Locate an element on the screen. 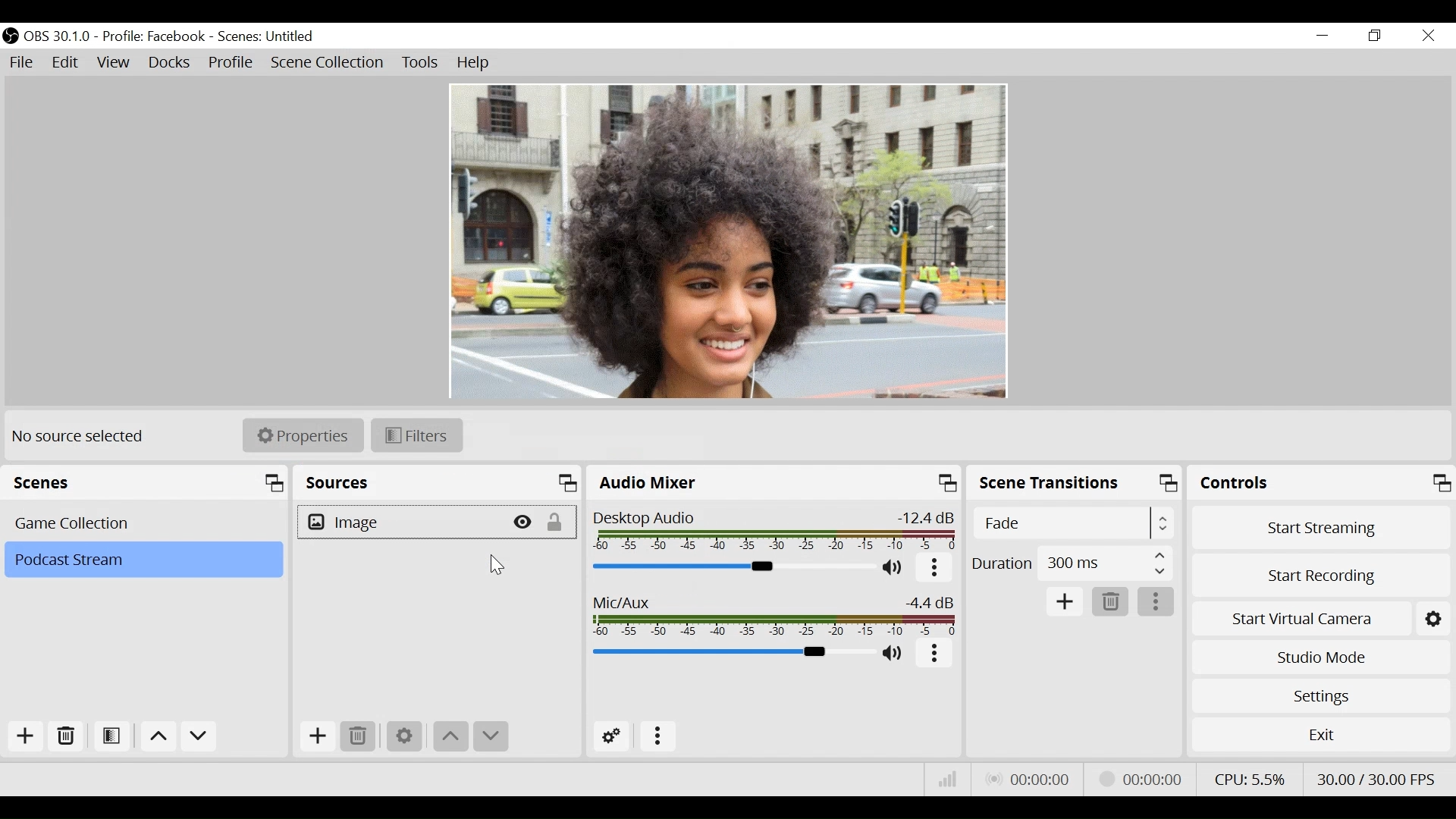 This screenshot has height=819, width=1456. Move down is located at coordinates (201, 736).